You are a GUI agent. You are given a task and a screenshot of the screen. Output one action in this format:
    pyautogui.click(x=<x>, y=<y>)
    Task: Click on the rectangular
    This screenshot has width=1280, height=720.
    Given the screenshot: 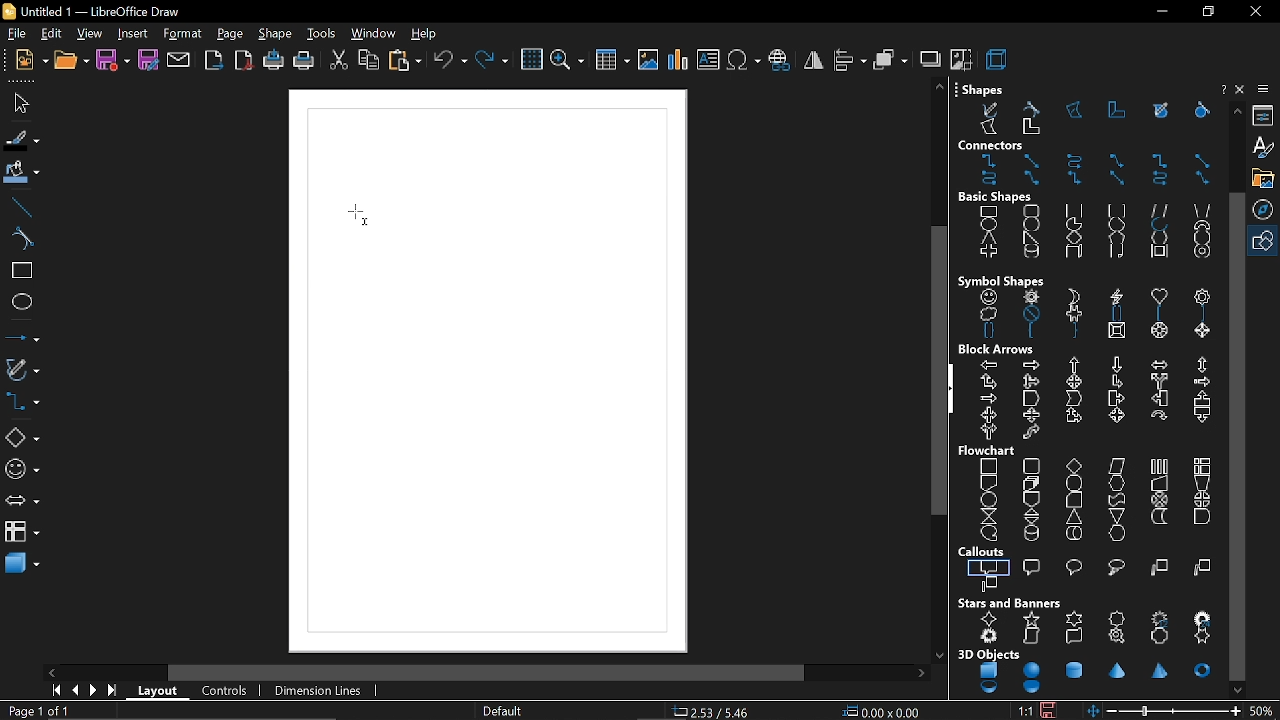 What is the action you would take?
    pyautogui.click(x=990, y=566)
    